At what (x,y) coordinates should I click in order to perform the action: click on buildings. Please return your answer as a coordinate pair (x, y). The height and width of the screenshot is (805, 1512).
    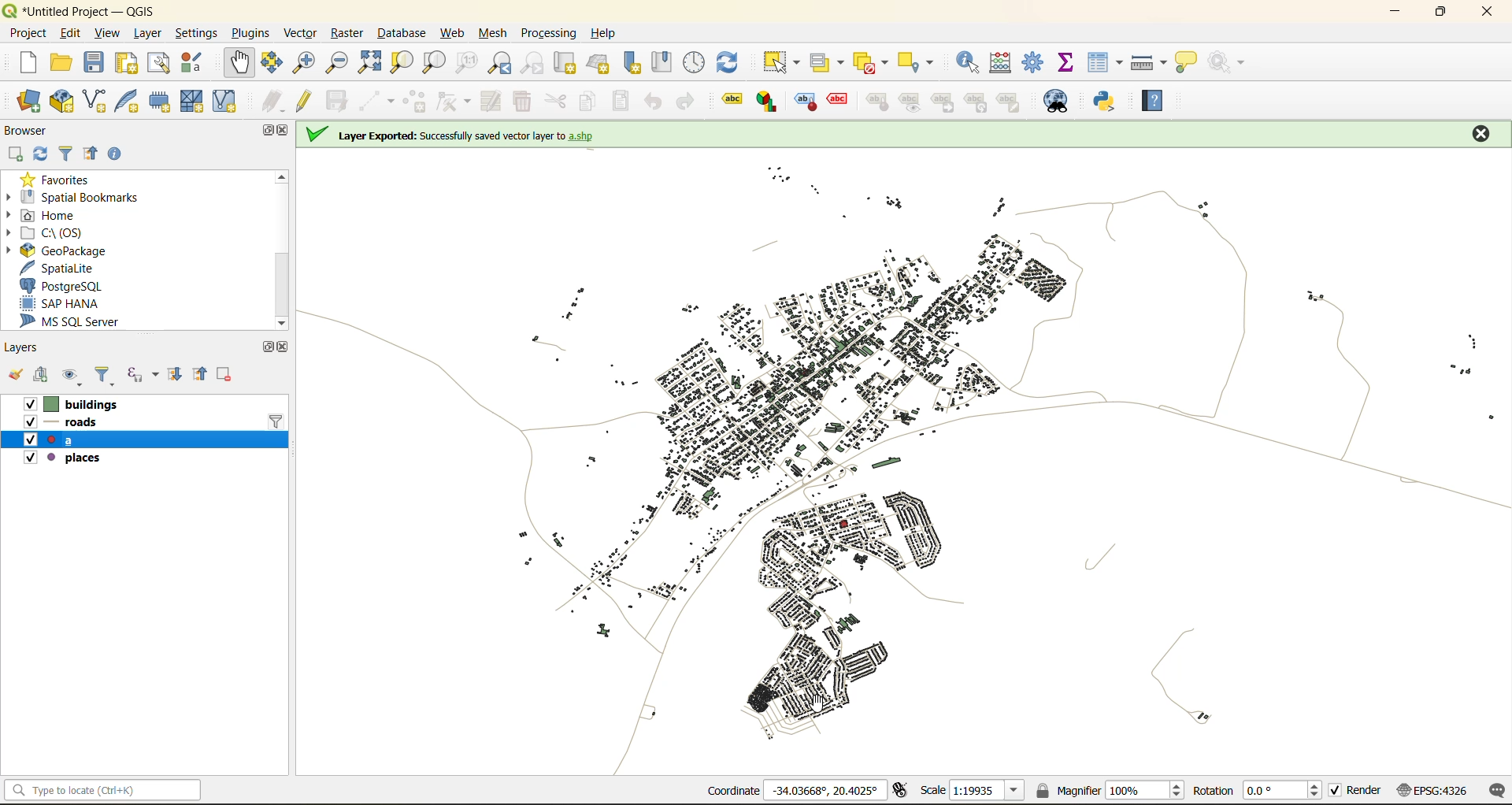
    Looking at the image, I should click on (80, 404).